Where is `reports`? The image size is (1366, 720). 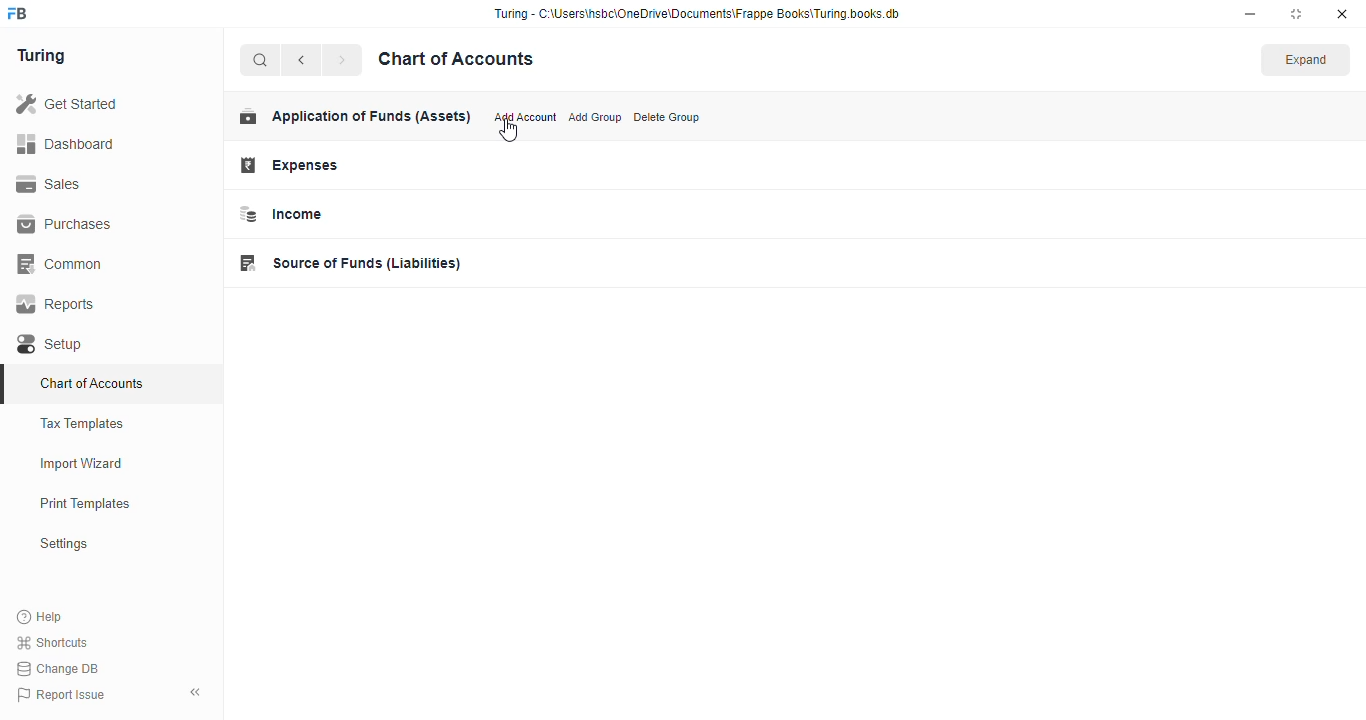 reports is located at coordinates (56, 304).